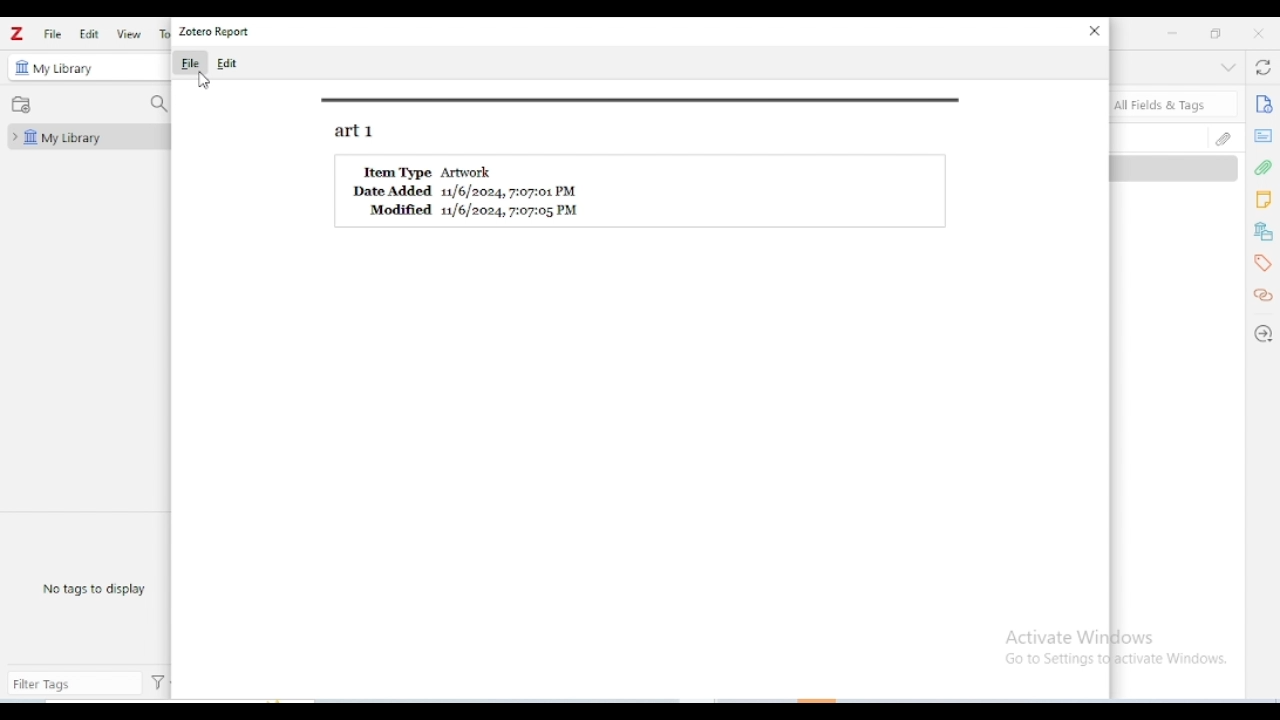  I want to click on filter collections, so click(158, 105).